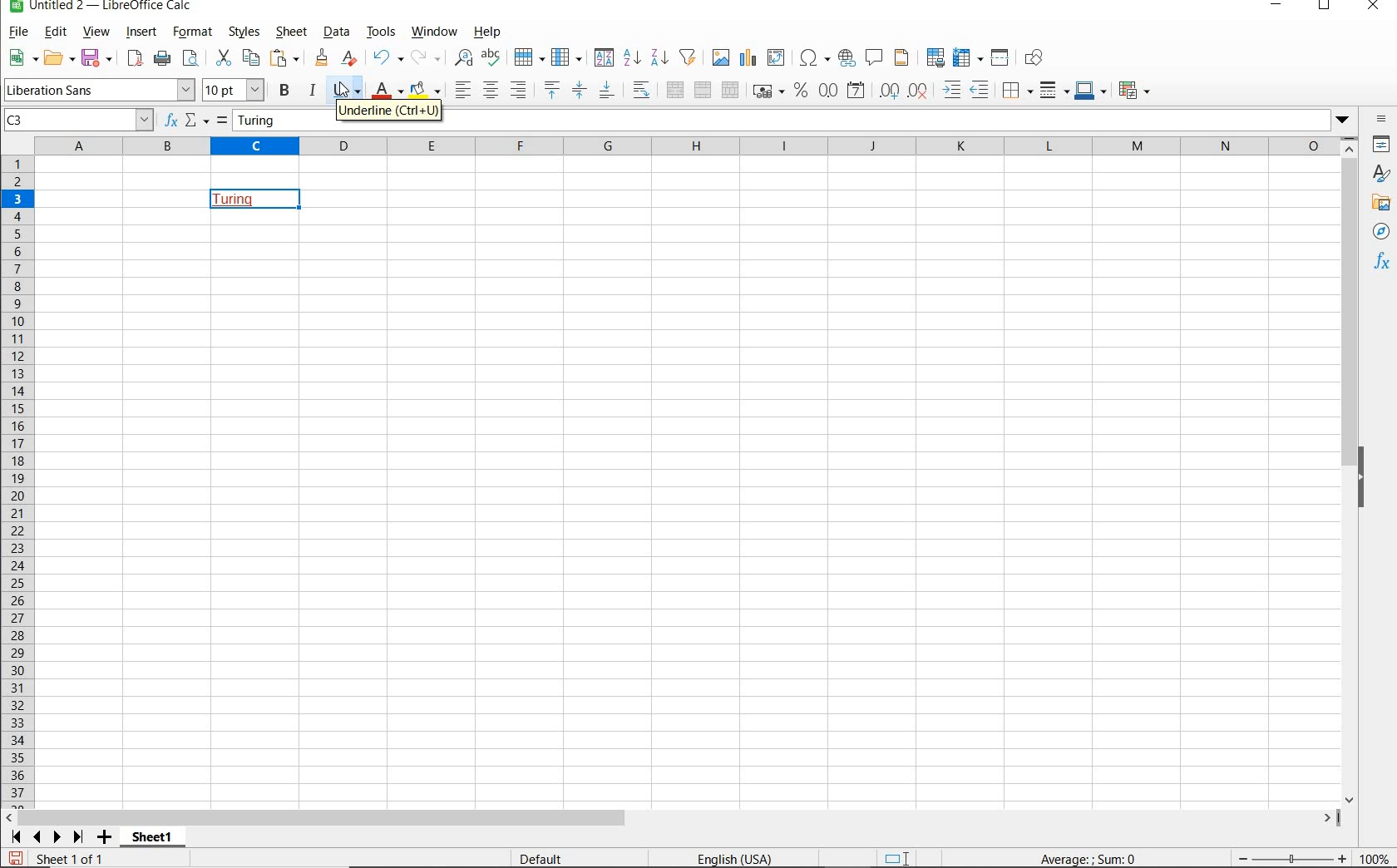  Describe the element at coordinates (194, 32) in the screenshot. I see `FORMAT` at that location.